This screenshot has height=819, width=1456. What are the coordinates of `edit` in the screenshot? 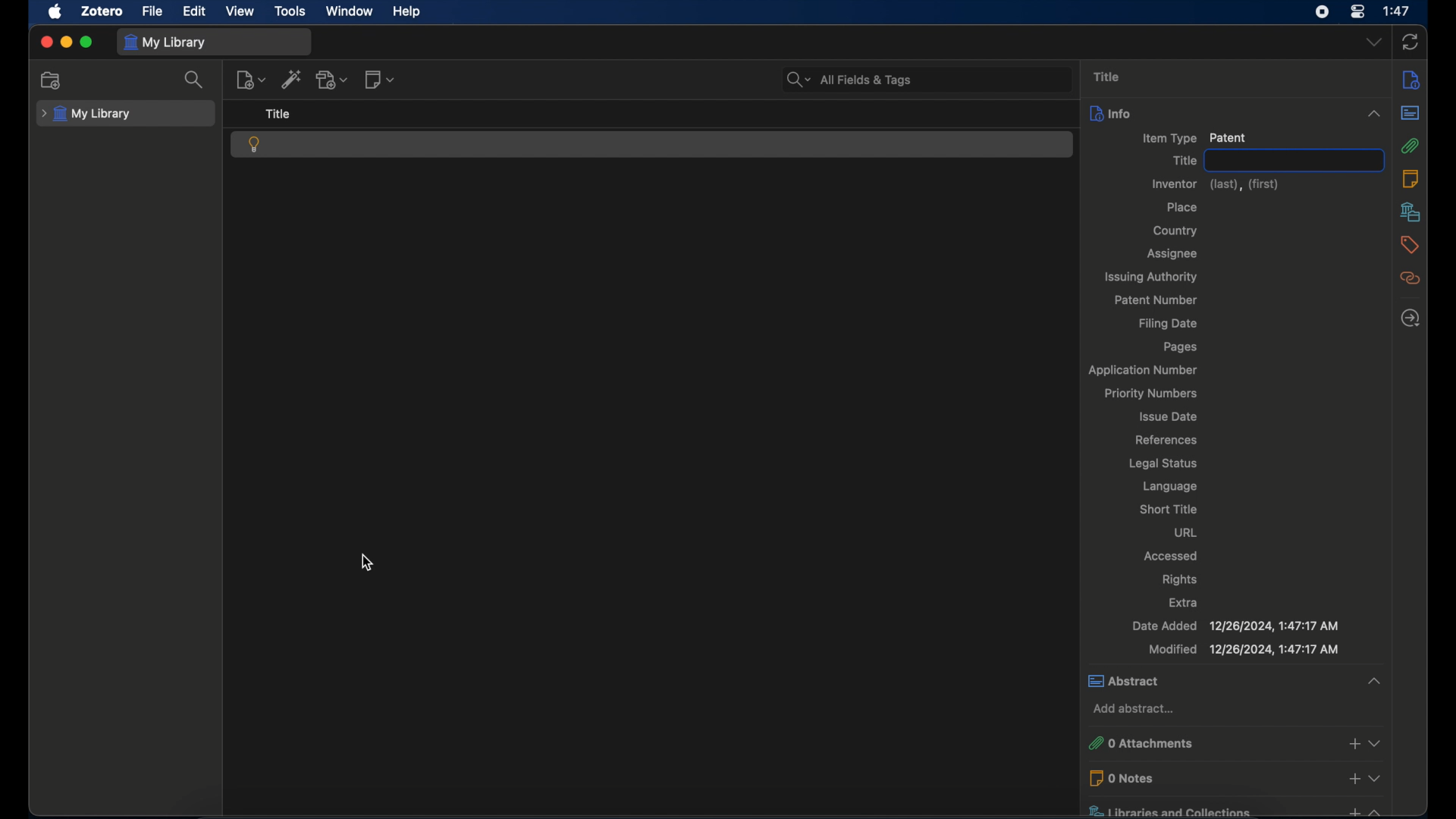 It's located at (194, 11).